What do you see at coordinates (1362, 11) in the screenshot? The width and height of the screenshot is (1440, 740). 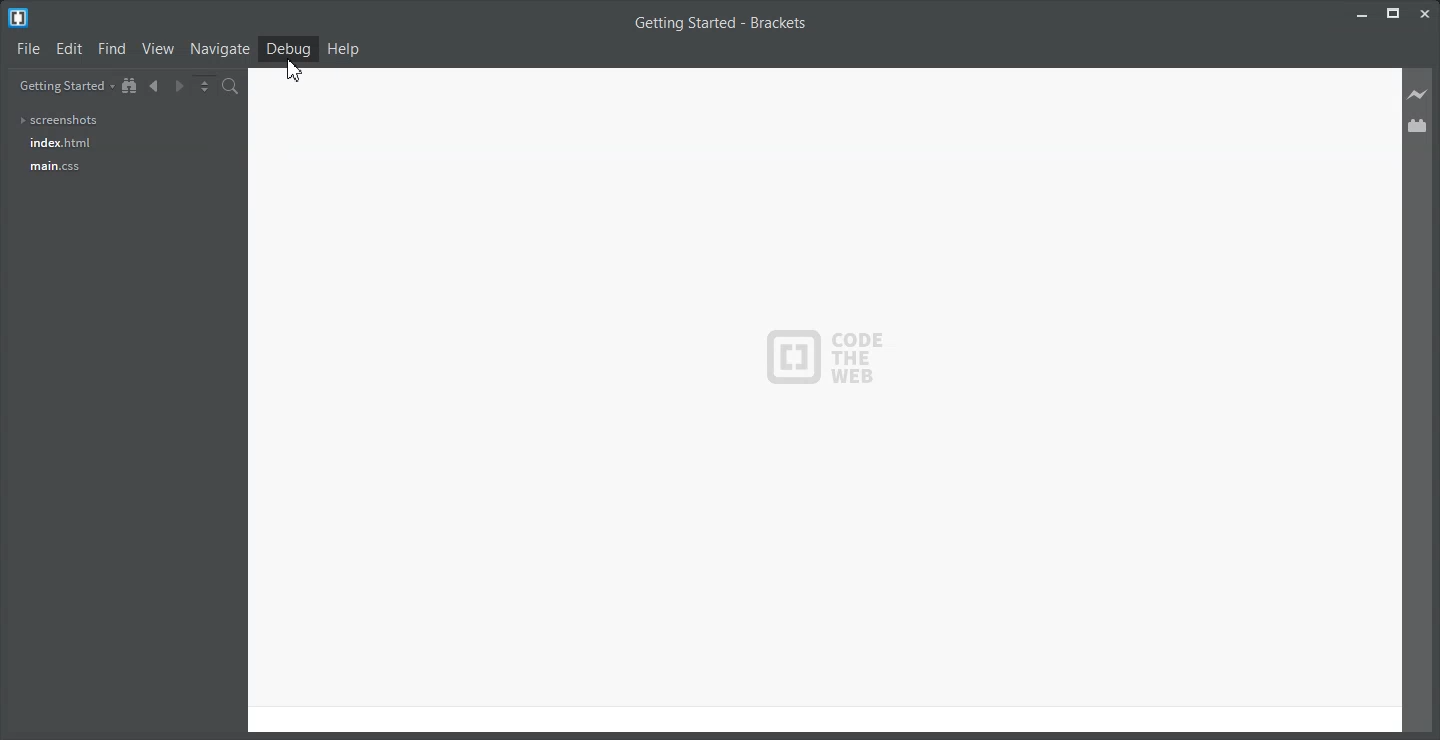 I see `Minimize` at bounding box center [1362, 11].